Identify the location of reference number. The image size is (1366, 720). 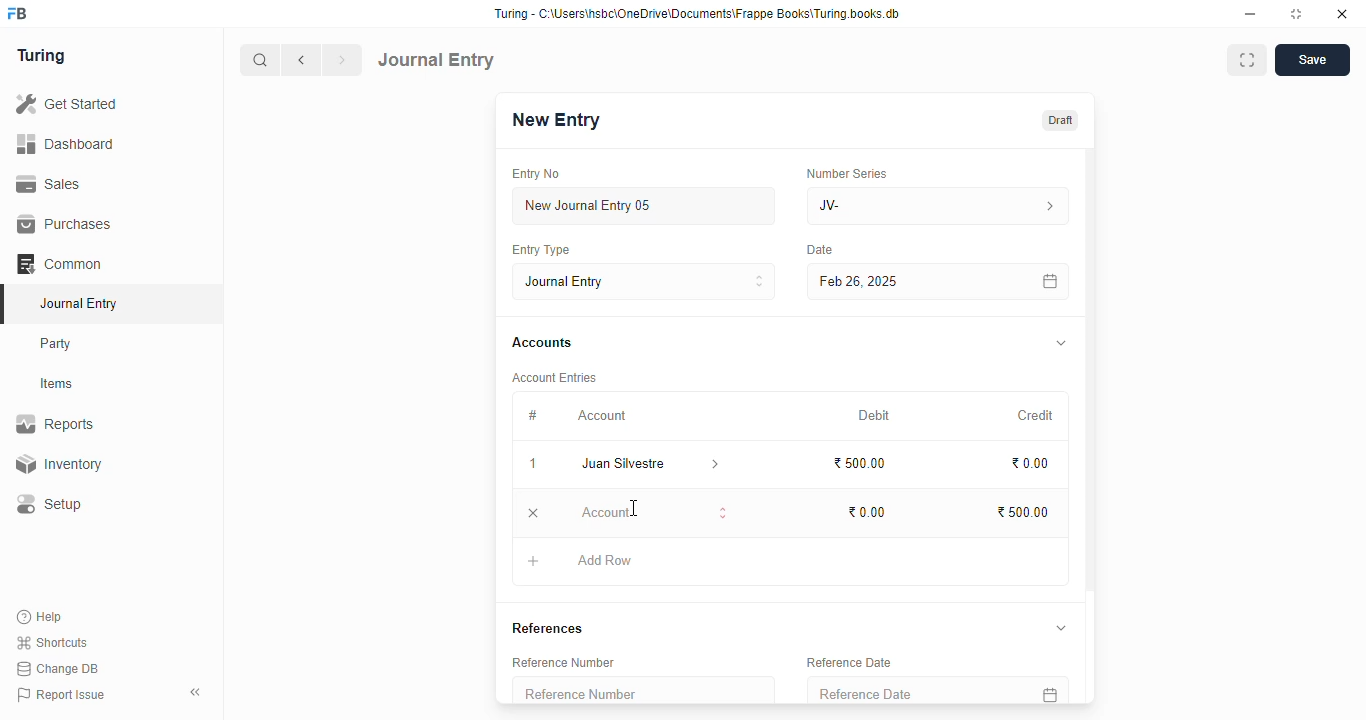
(642, 690).